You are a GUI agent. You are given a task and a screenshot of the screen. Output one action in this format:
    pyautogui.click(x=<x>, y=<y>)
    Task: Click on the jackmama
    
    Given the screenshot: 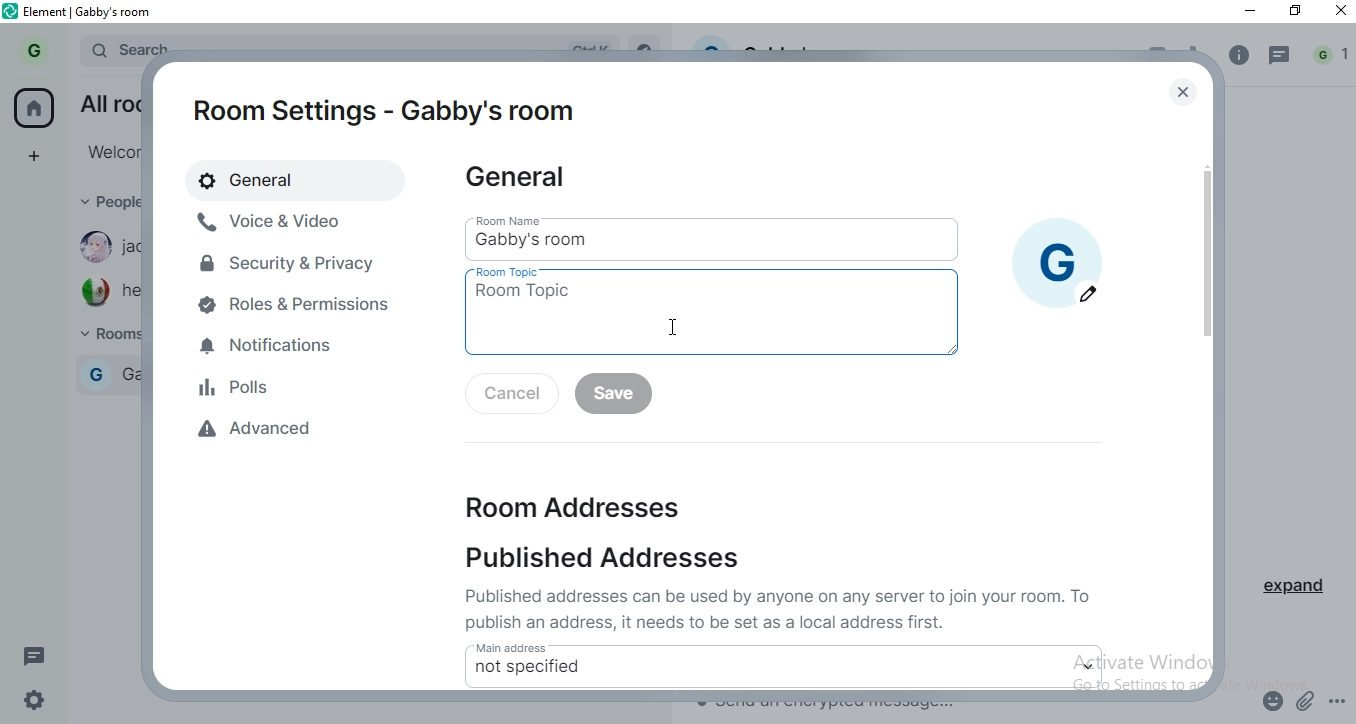 What is the action you would take?
    pyautogui.click(x=106, y=248)
    